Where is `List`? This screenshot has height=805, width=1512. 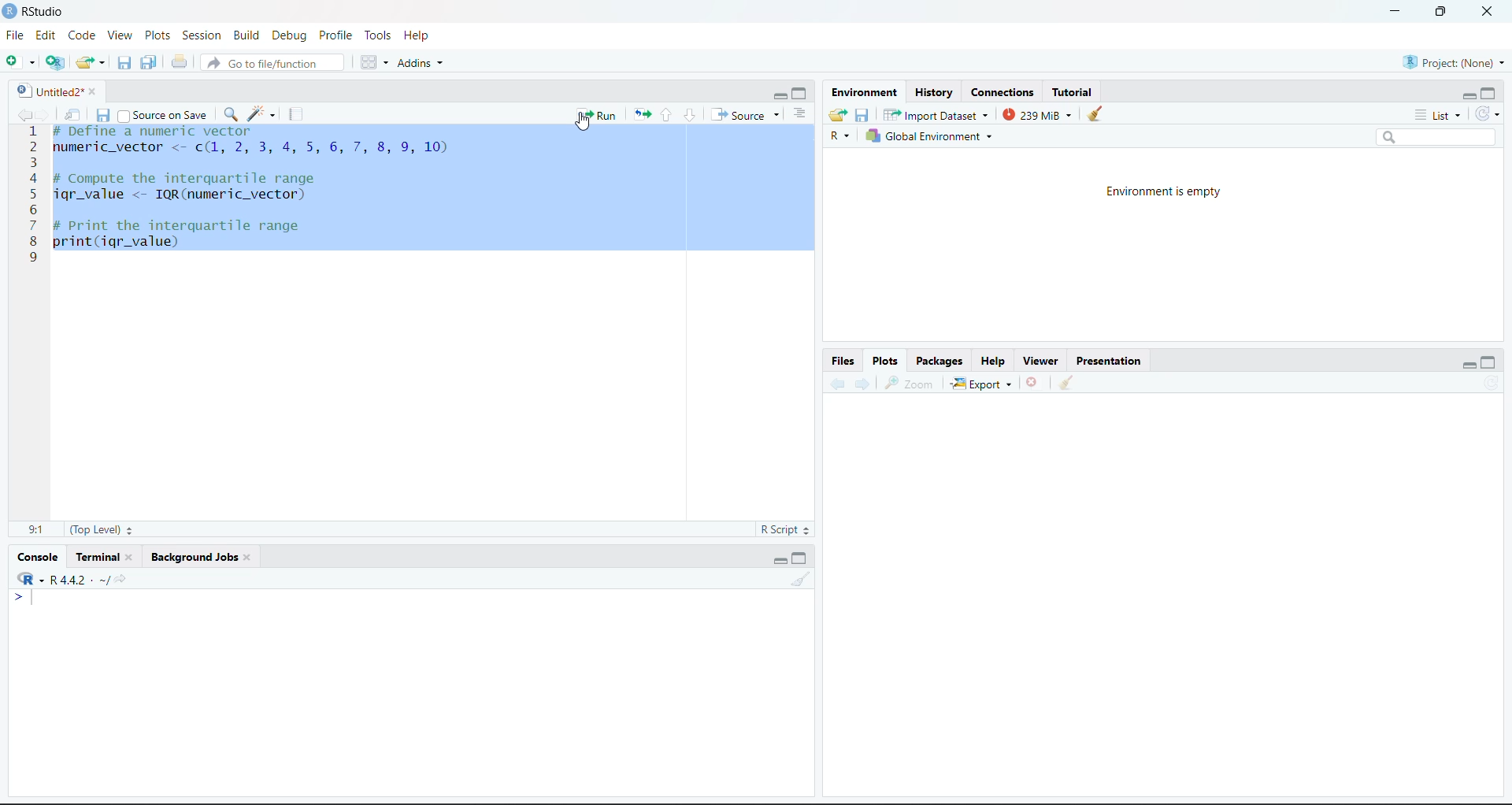
List is located at coordinates (1435, 117).